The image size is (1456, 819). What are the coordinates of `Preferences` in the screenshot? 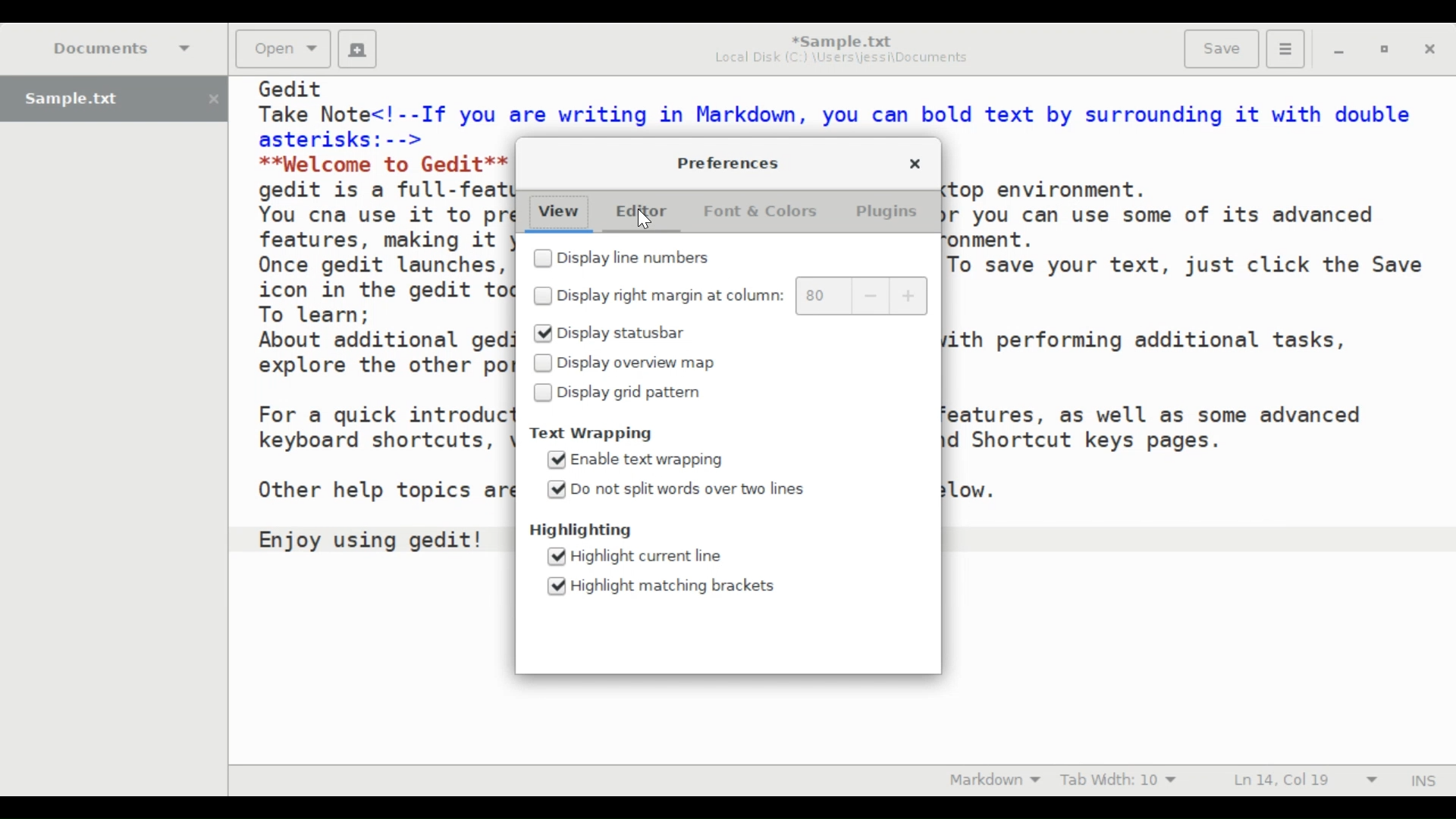 It's located at (730, 162).